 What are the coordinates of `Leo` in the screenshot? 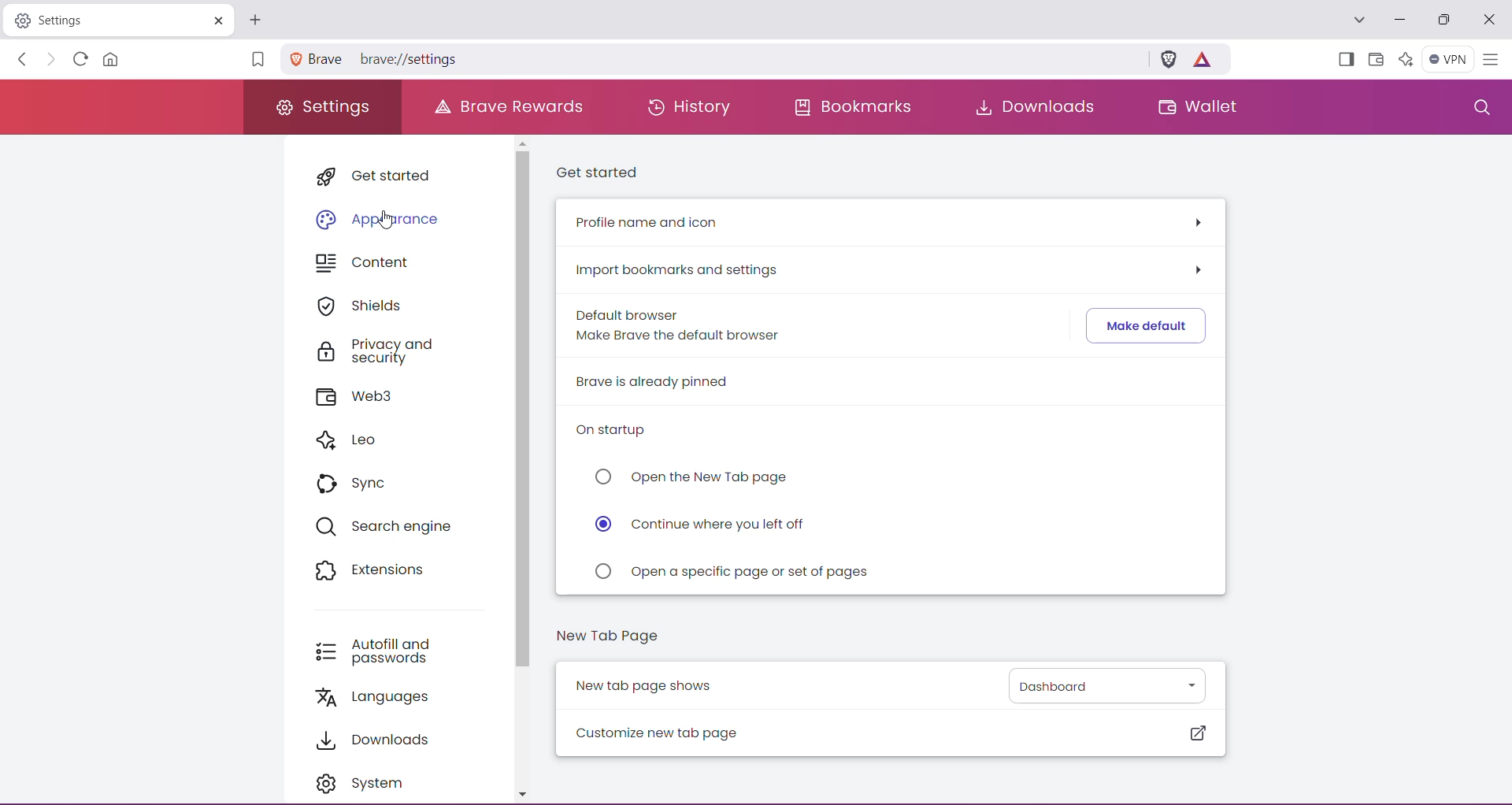 It's located at (342, 439).